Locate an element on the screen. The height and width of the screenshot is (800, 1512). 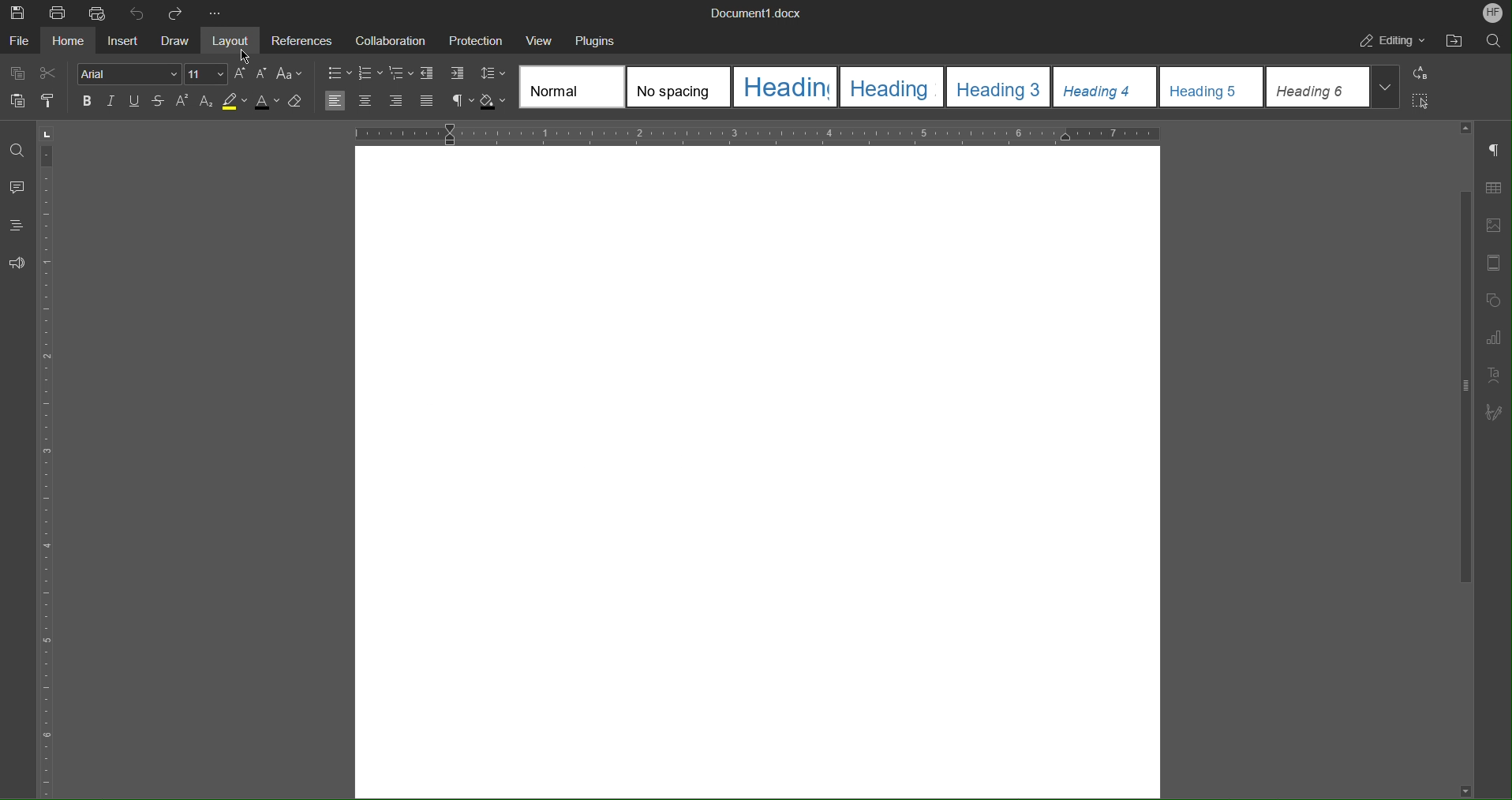
Subscript is located at coordinates (206, 102).